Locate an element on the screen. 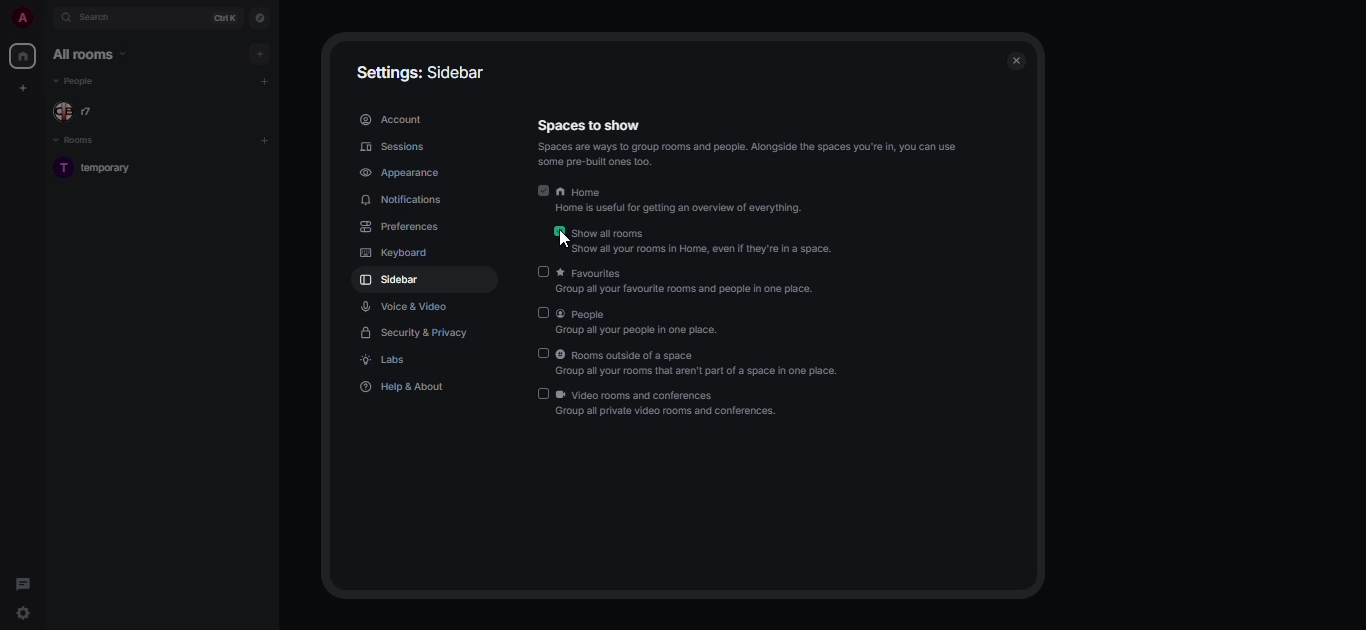 Image resolution: width=1366 pixels, height=630 pixels. voice & video is located at coordinates (405, 307).